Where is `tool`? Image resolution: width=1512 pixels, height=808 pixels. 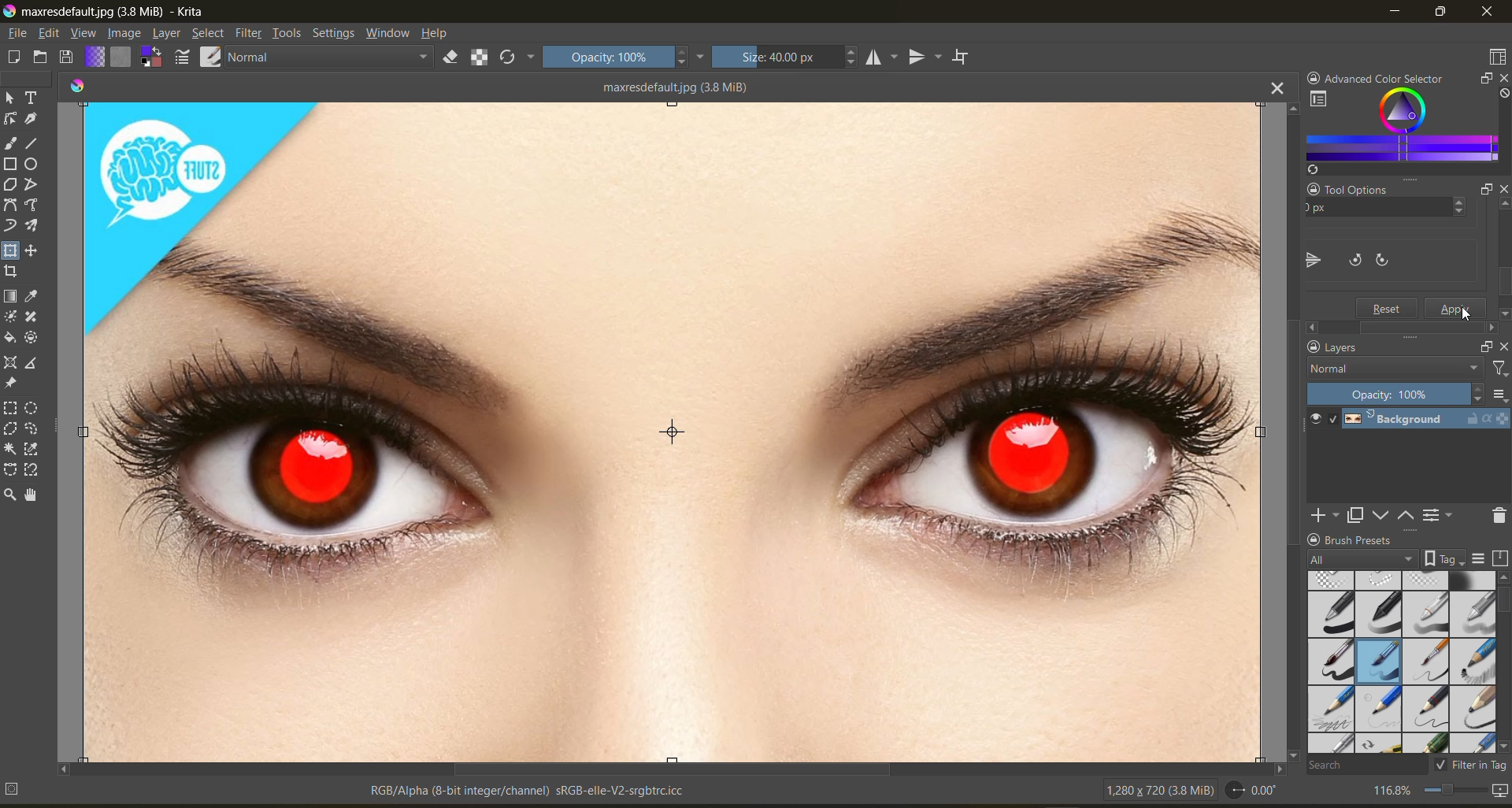
tool is located at coordinates (33, 470).